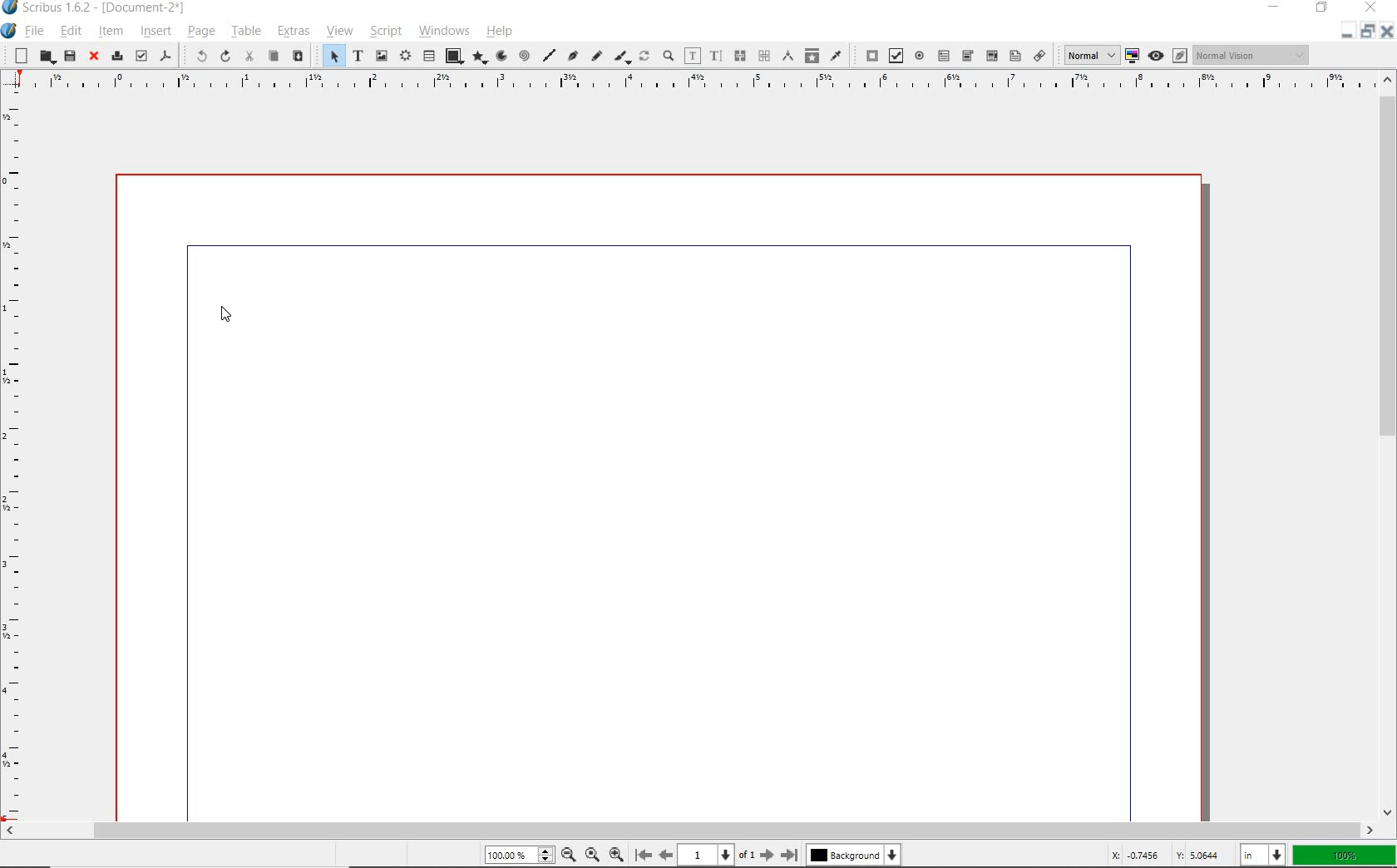  Describe the element at coordinates (893, 55) in the screenshot. I see `pdf check box` at that location.